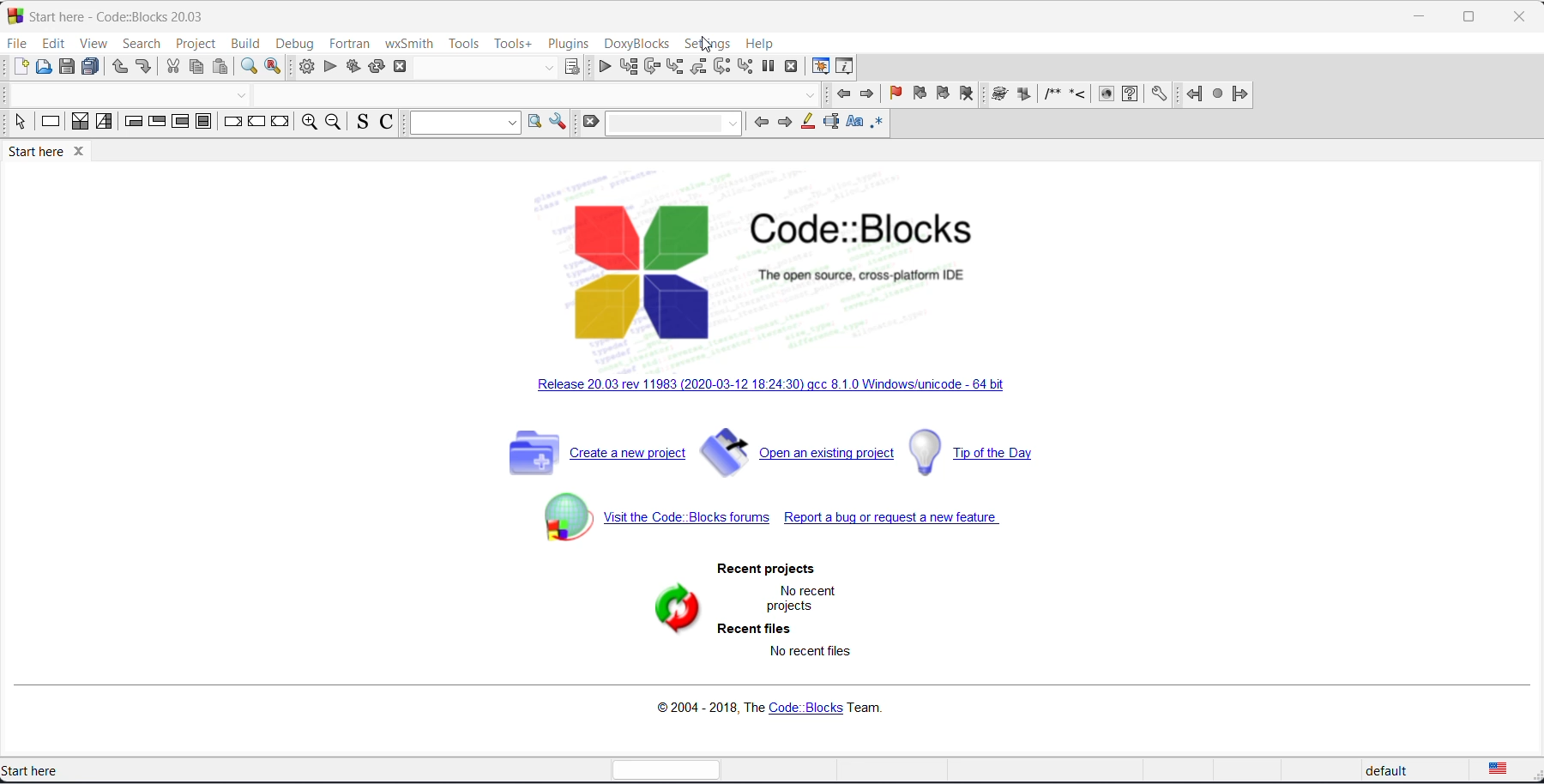 This screenshot has width=1544, height=784. I want to click on search, so click(535, 120).